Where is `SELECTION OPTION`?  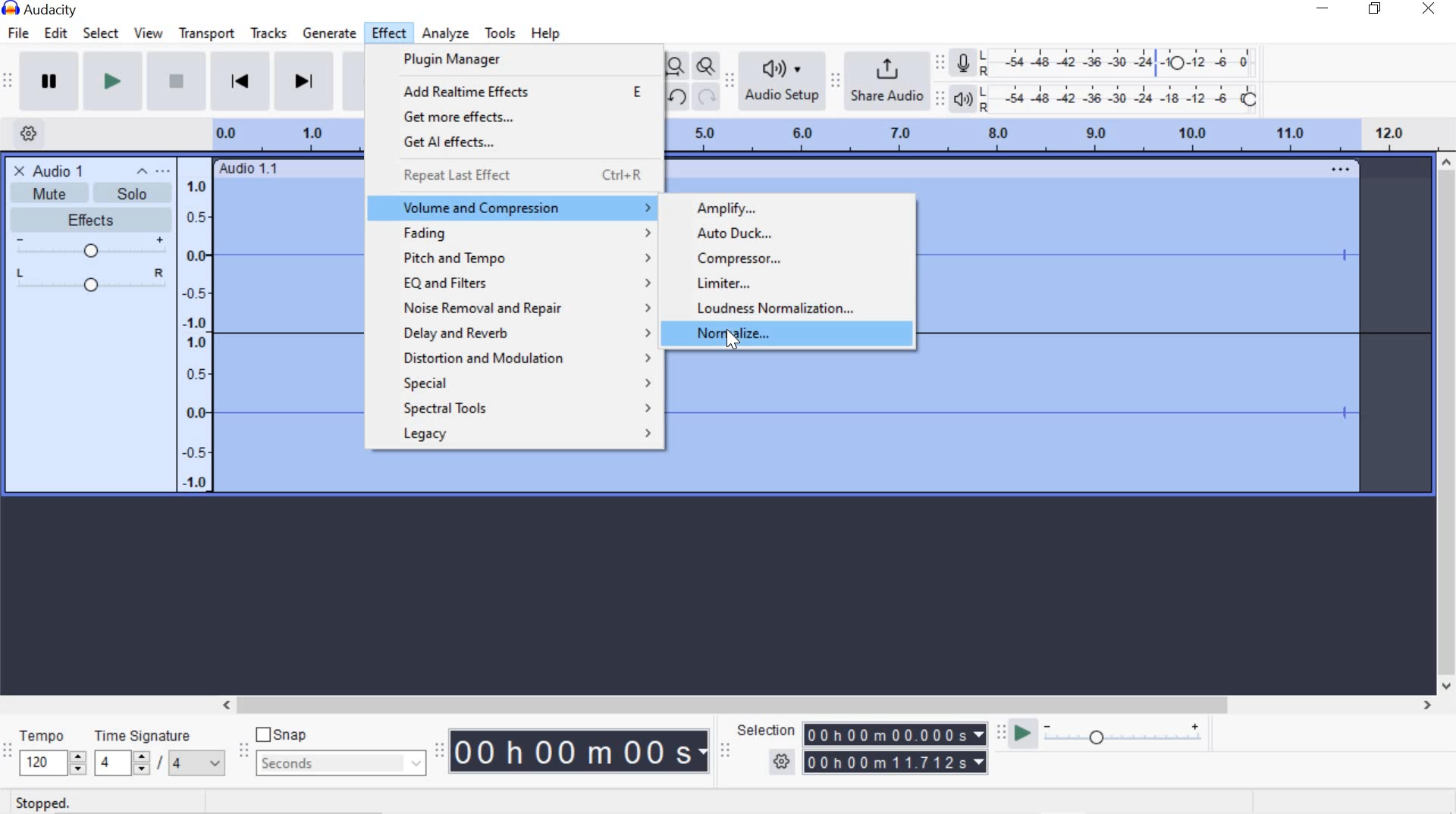
SELECTION OPTION is located at coordinates (783, 762).